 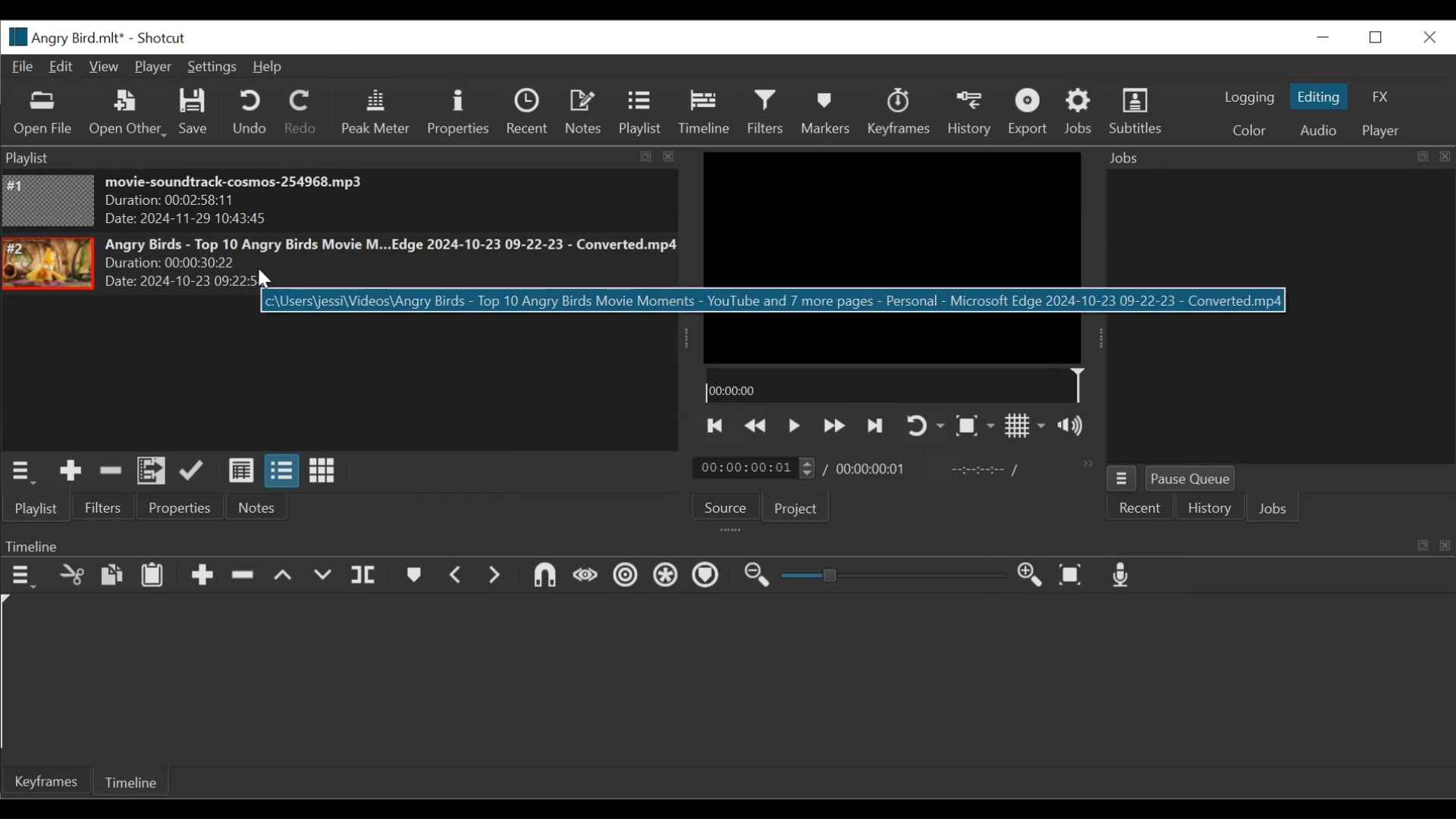 I want to click on Editing, so click(x=1319, y=97).